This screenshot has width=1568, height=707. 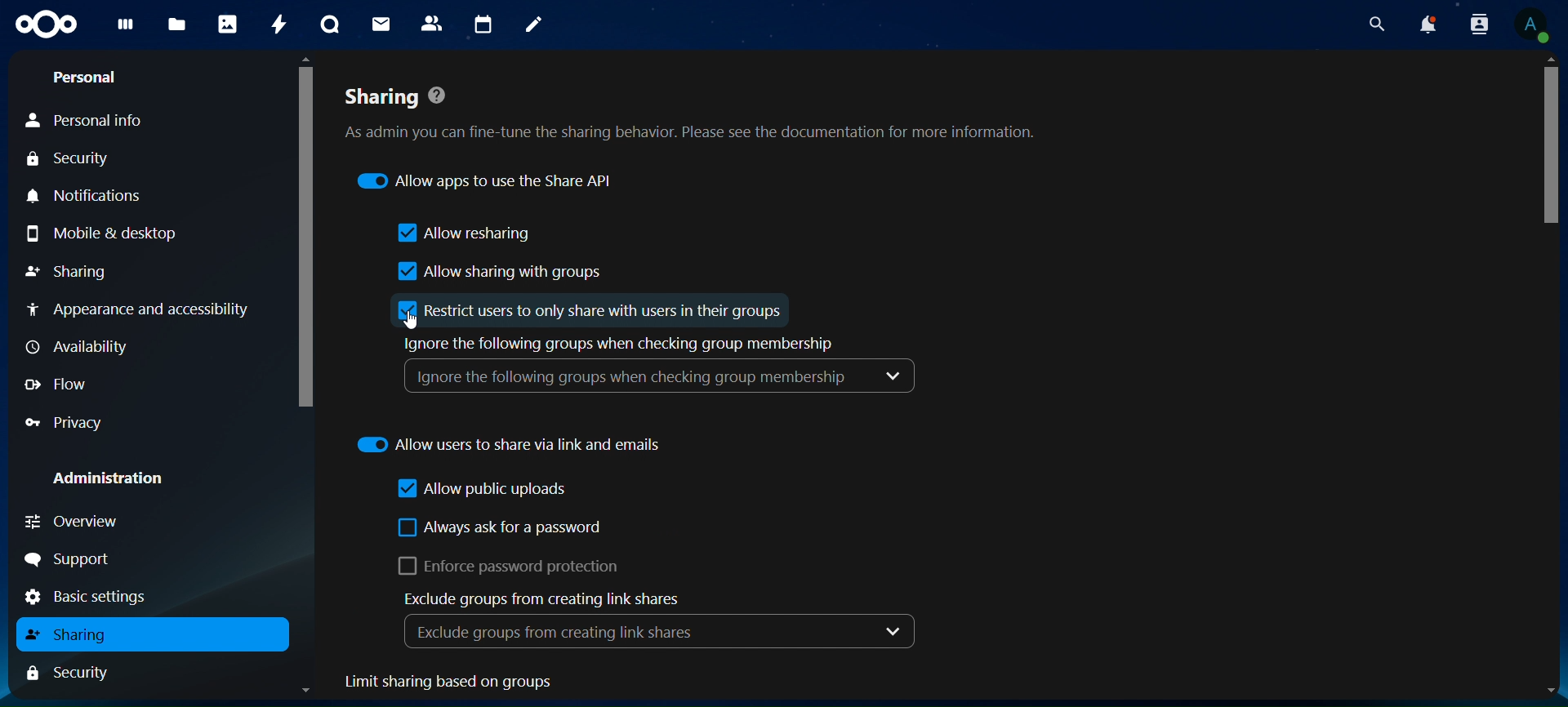 I want to click on privacy, so click(x=65, y=424).